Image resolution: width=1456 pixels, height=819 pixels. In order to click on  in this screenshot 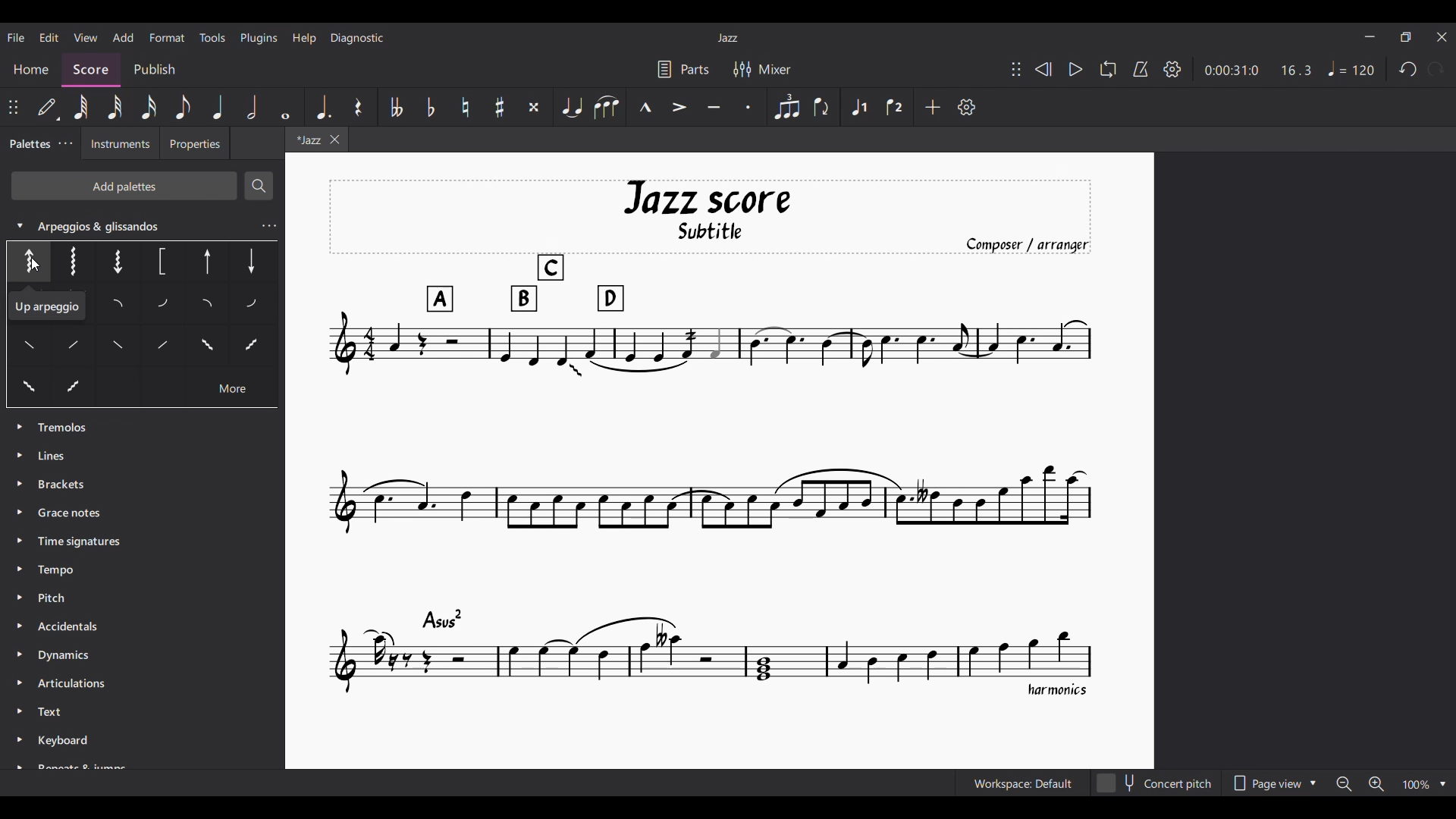, I will do `click(27, 344)`.